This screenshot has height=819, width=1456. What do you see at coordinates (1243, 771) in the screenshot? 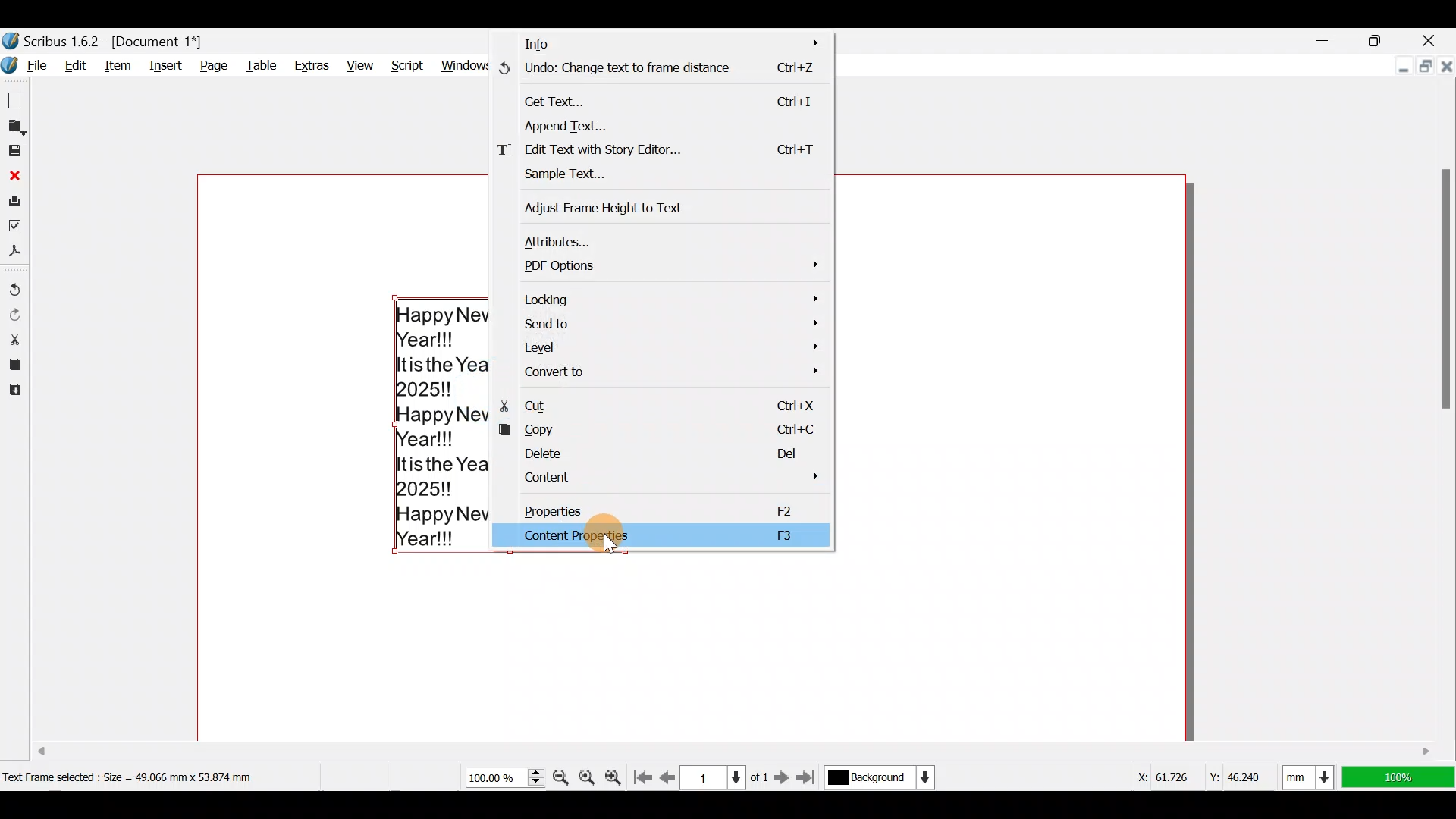
I see `Y-axis dimension values` at bounding box center [1243, 771].